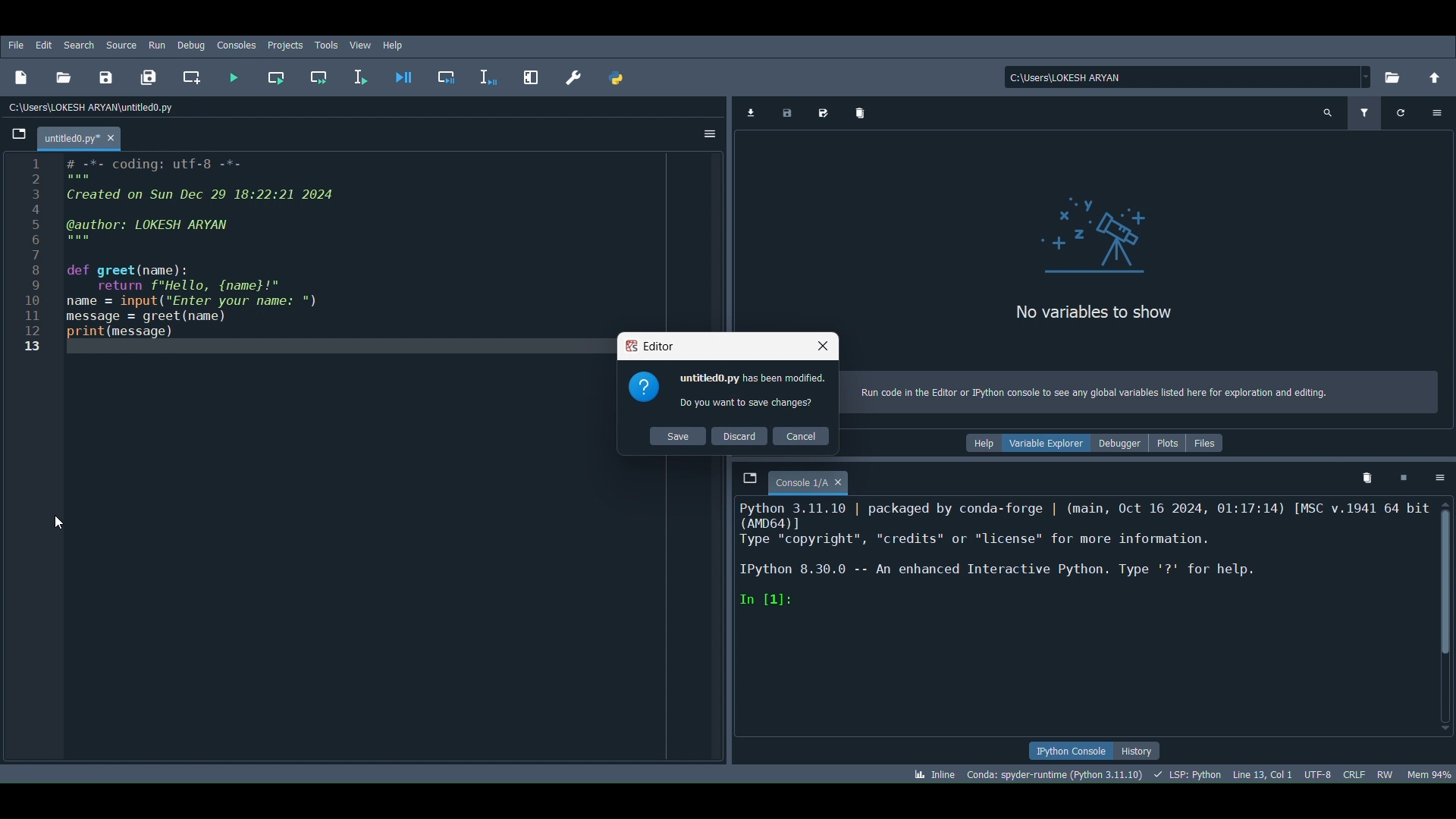  What do you see at coordinates (47, 42) in the screenshot?
I see `Edit` at bounding box center [47, 42].